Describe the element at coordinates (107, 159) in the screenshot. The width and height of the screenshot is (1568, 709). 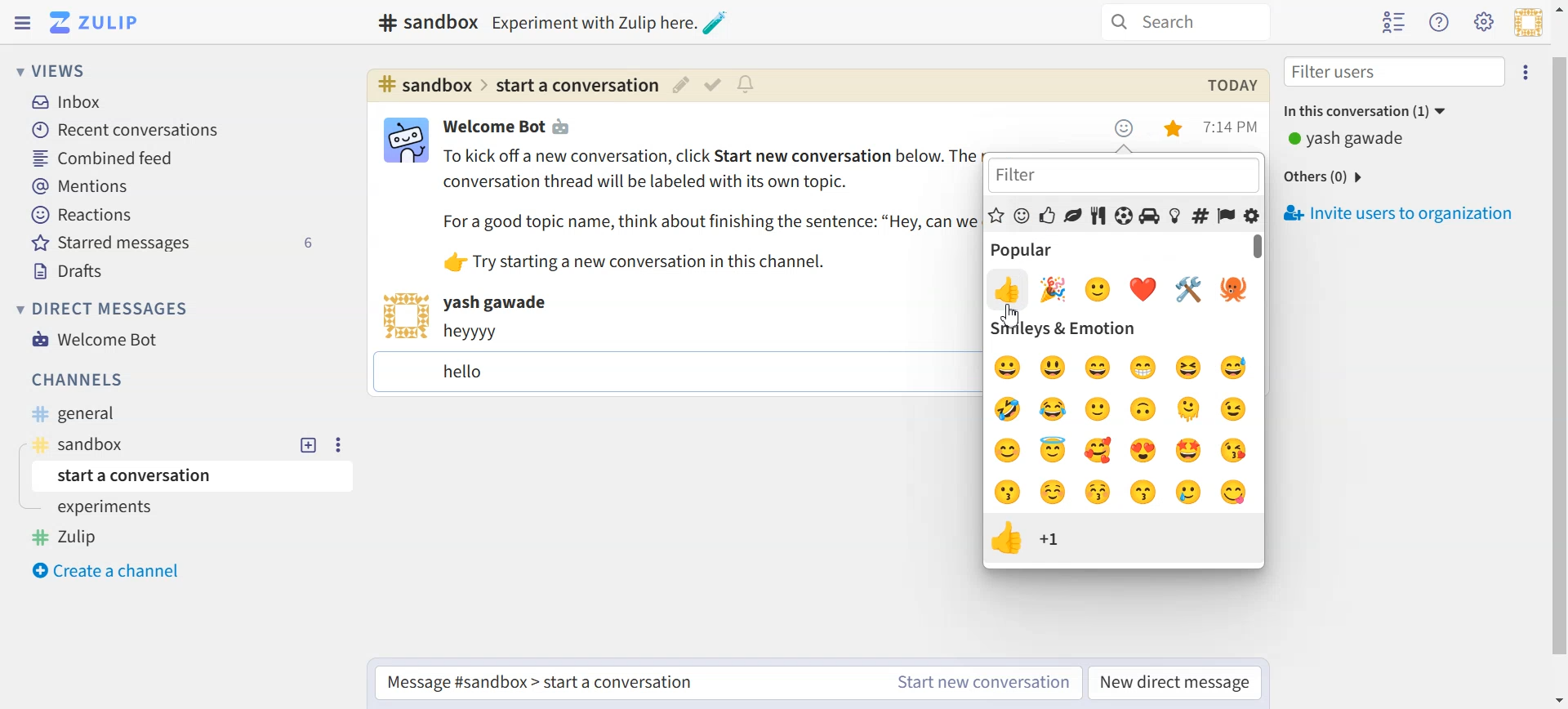
I see `Combined feed` at that location.